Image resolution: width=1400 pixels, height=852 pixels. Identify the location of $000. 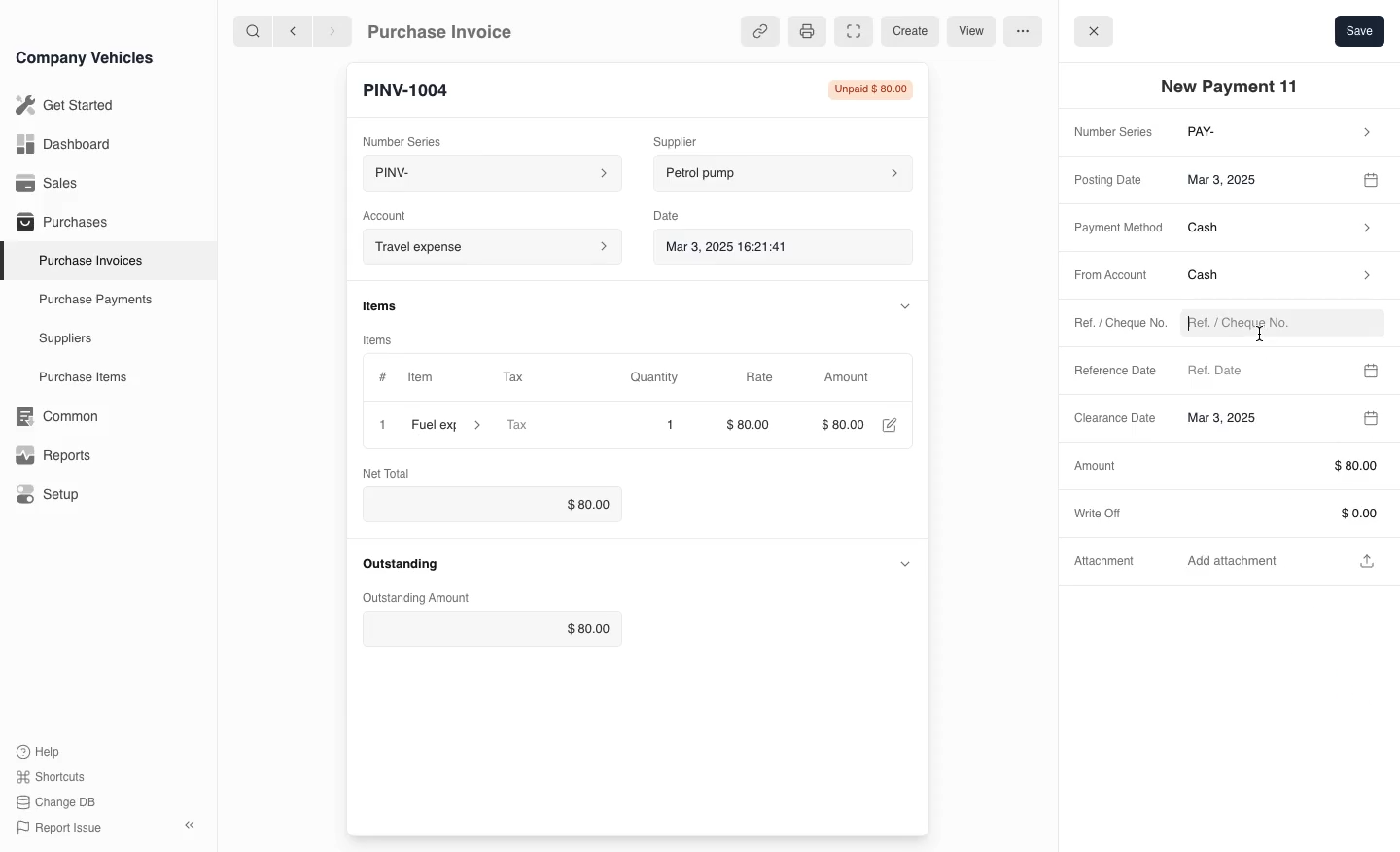
(842, 425).